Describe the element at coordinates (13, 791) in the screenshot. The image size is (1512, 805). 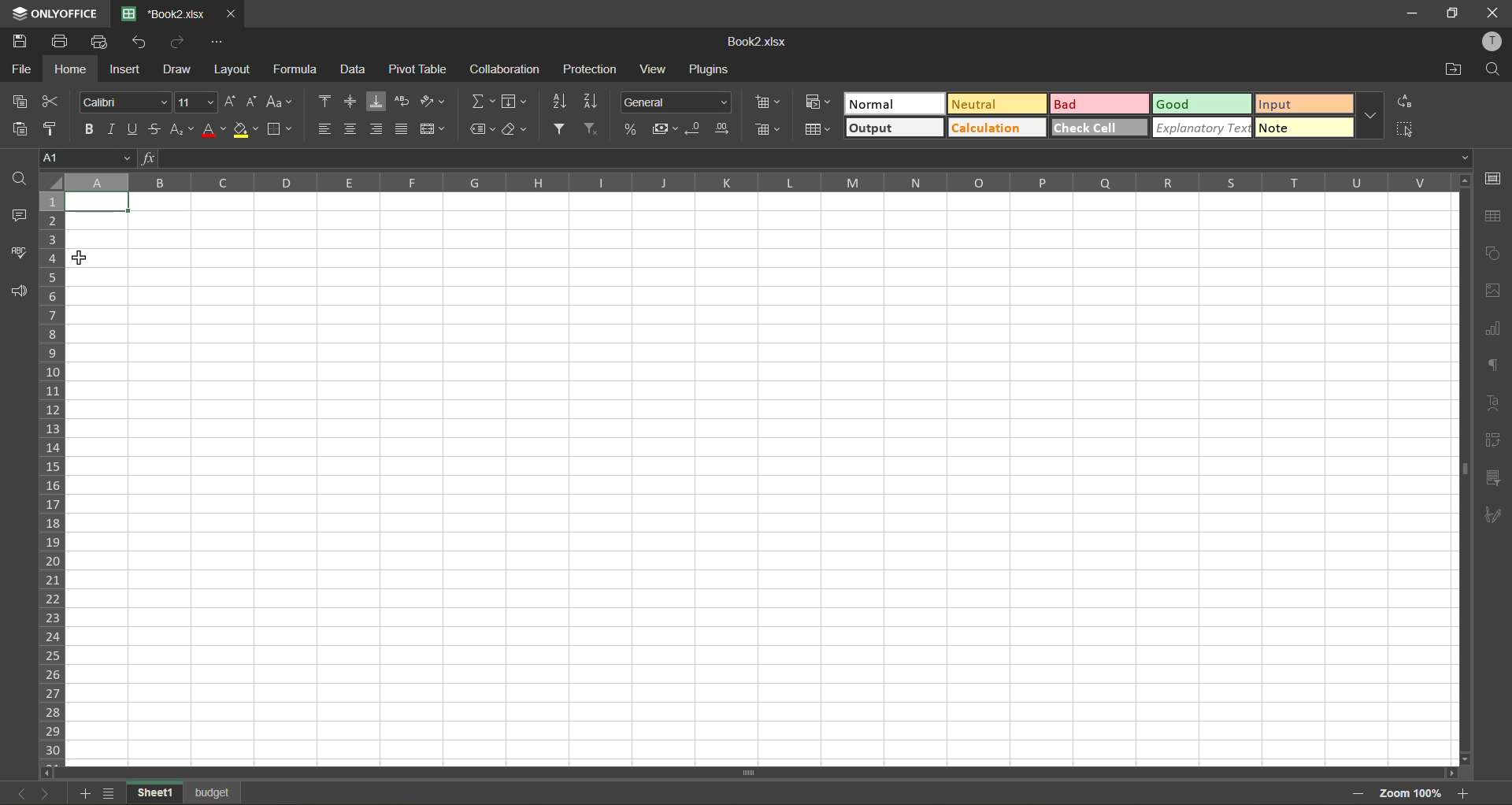
I see `previous` at that location.